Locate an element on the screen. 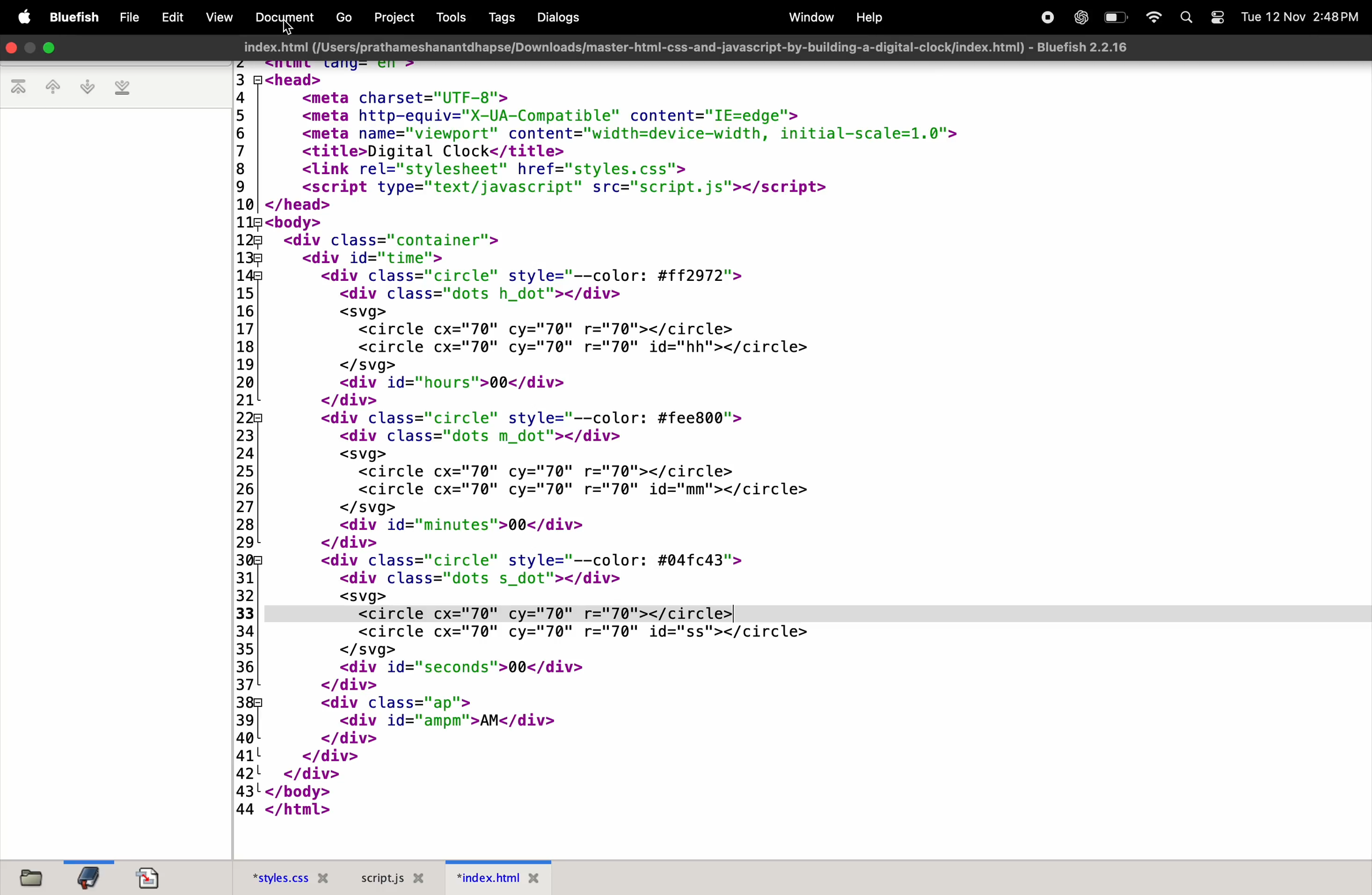 This screenshot has height=895, width=1372. bluefish is located at coordinates (70, 17).